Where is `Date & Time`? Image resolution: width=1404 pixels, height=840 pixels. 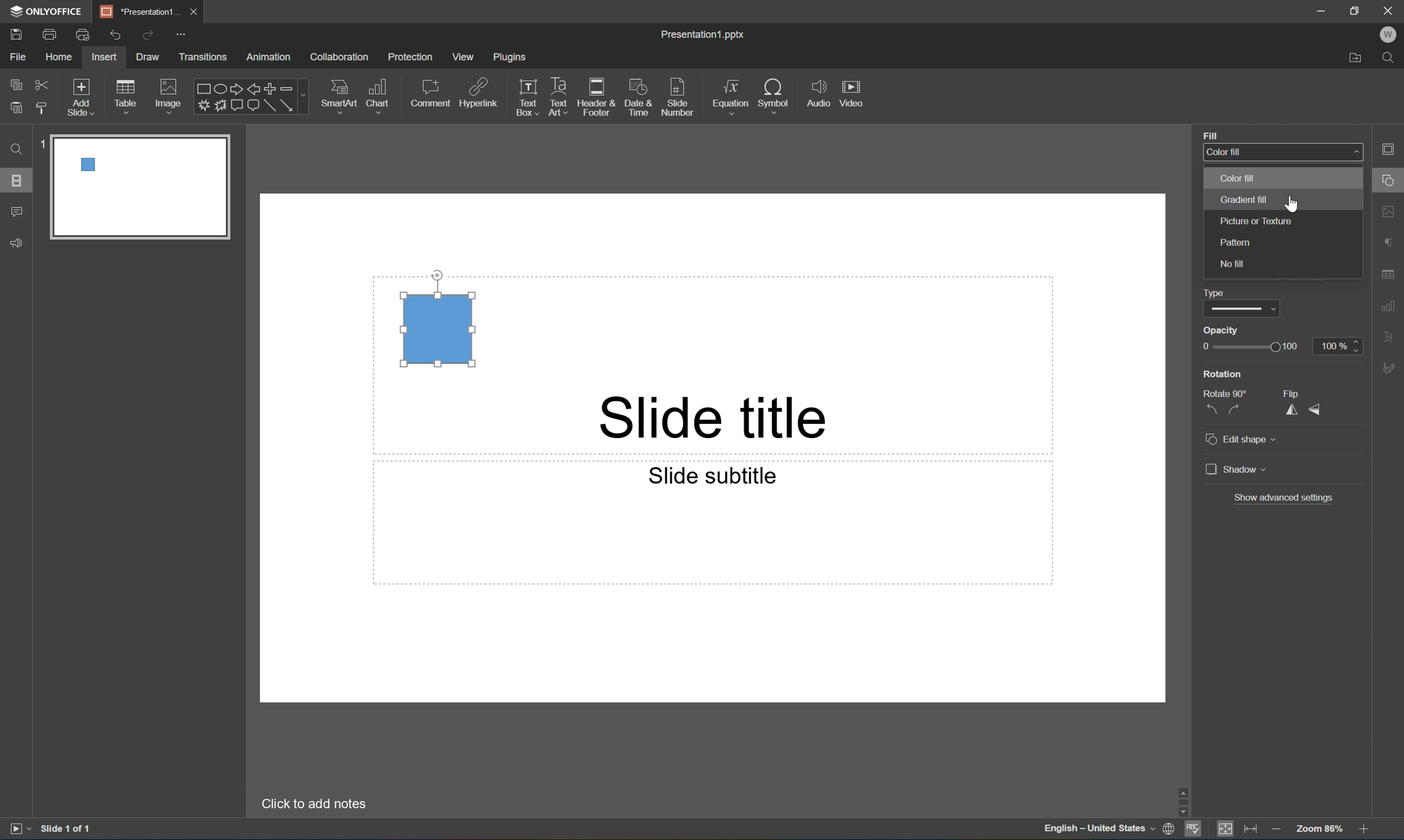 Date & Time is located at coordinates (636, 96).